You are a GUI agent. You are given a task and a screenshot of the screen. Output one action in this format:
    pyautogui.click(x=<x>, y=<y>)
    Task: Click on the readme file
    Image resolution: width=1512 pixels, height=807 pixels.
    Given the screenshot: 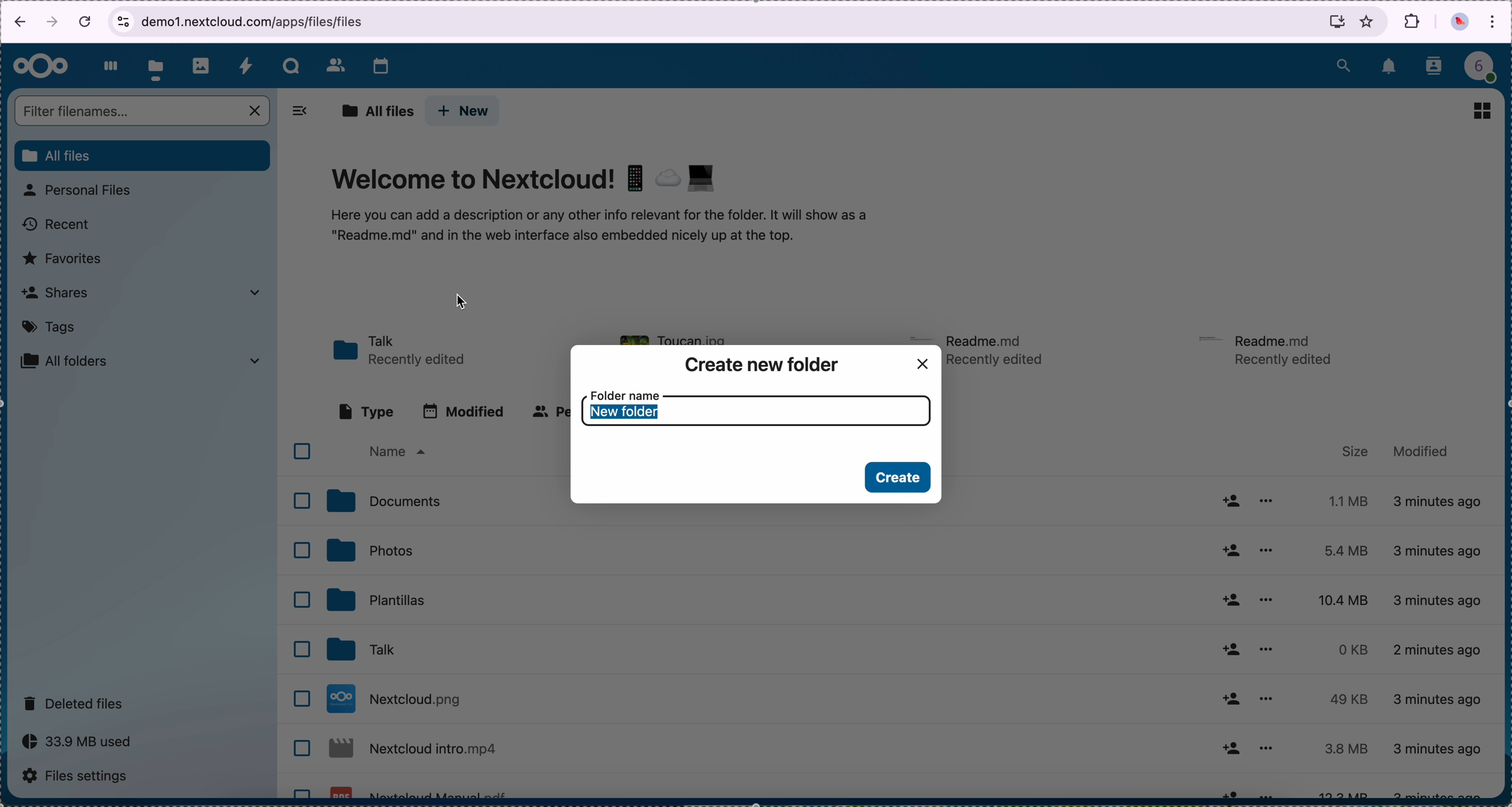 What is the action you would take?
    pyautogui.click(x=999, y=349)
    